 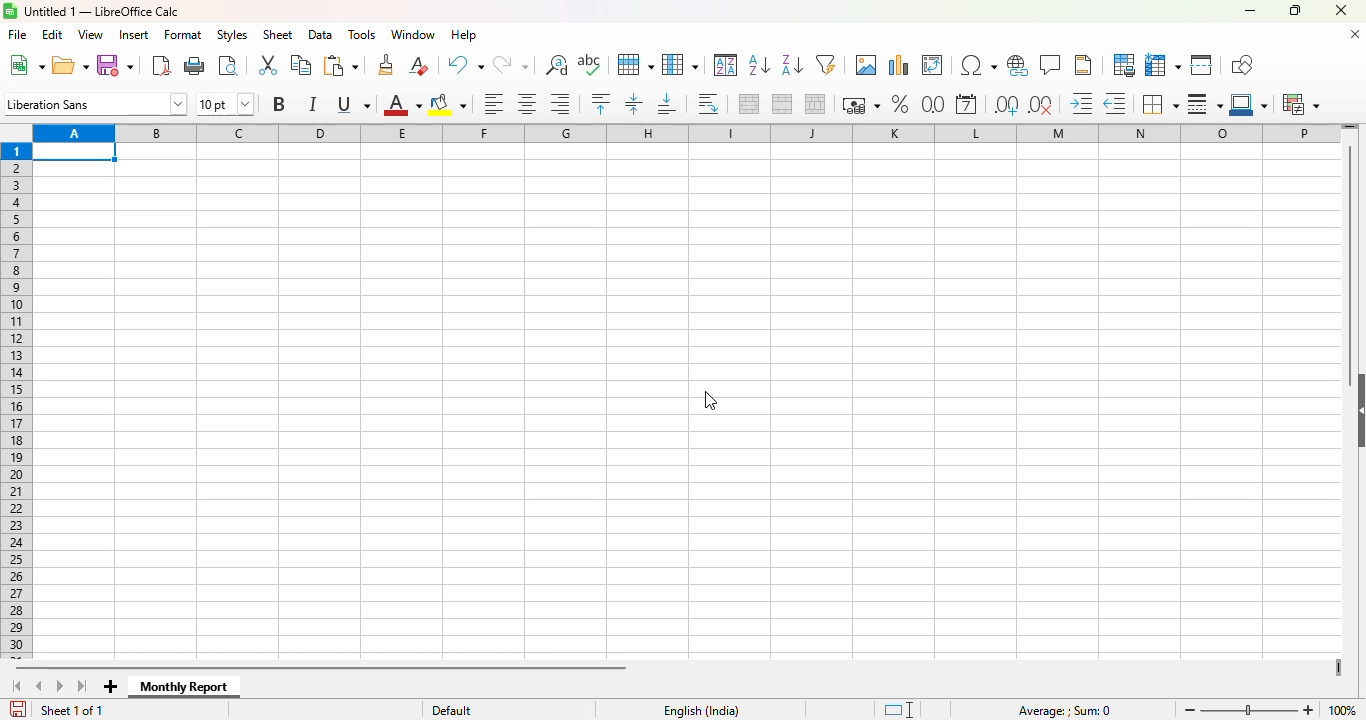 What do you see at coordinates (133, 35) in the screenshot?
I see `insert` at bounding box center [133, 35].